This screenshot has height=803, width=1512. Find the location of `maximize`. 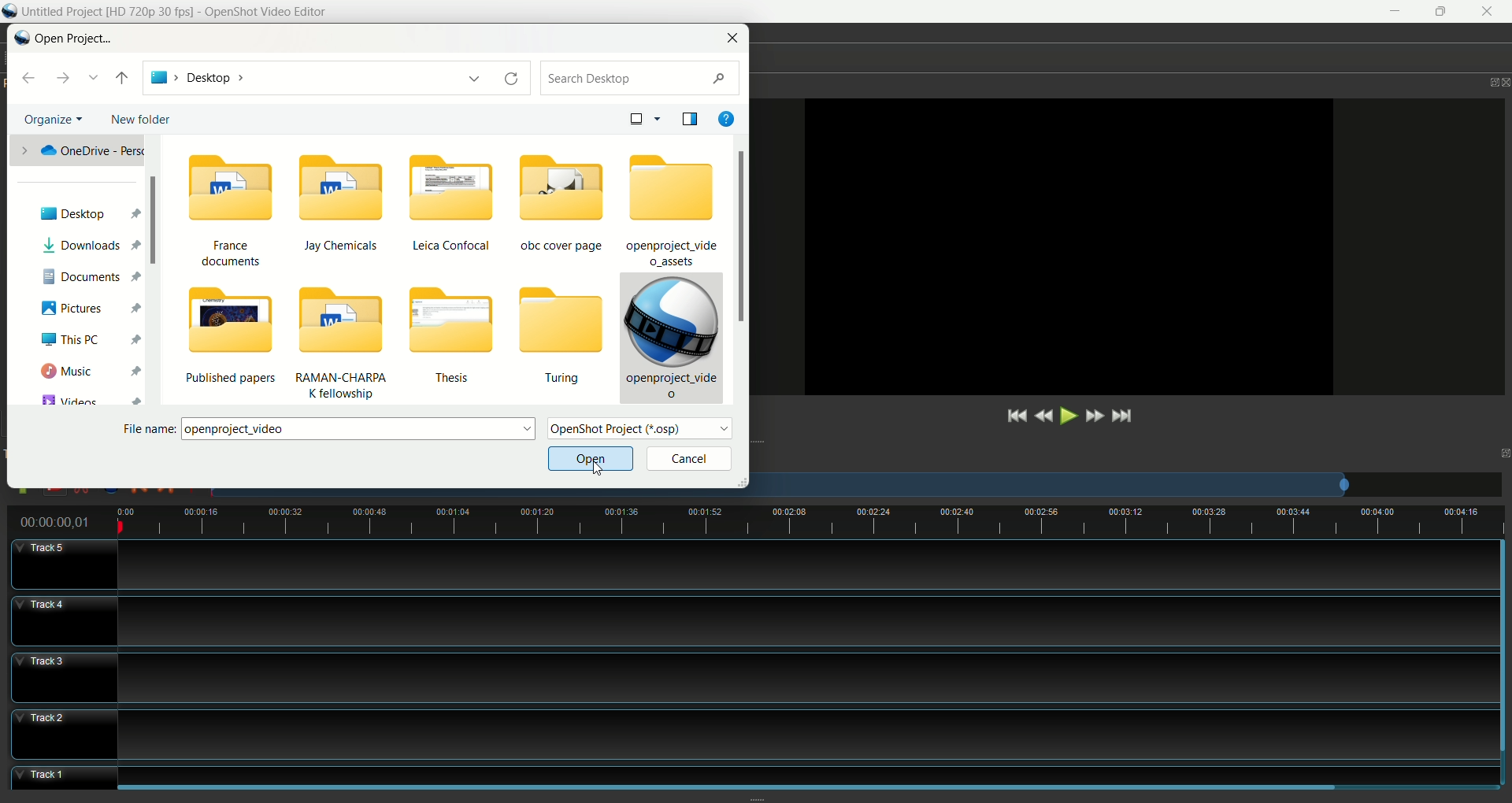

maximize is located at coordinates (1499, 447).